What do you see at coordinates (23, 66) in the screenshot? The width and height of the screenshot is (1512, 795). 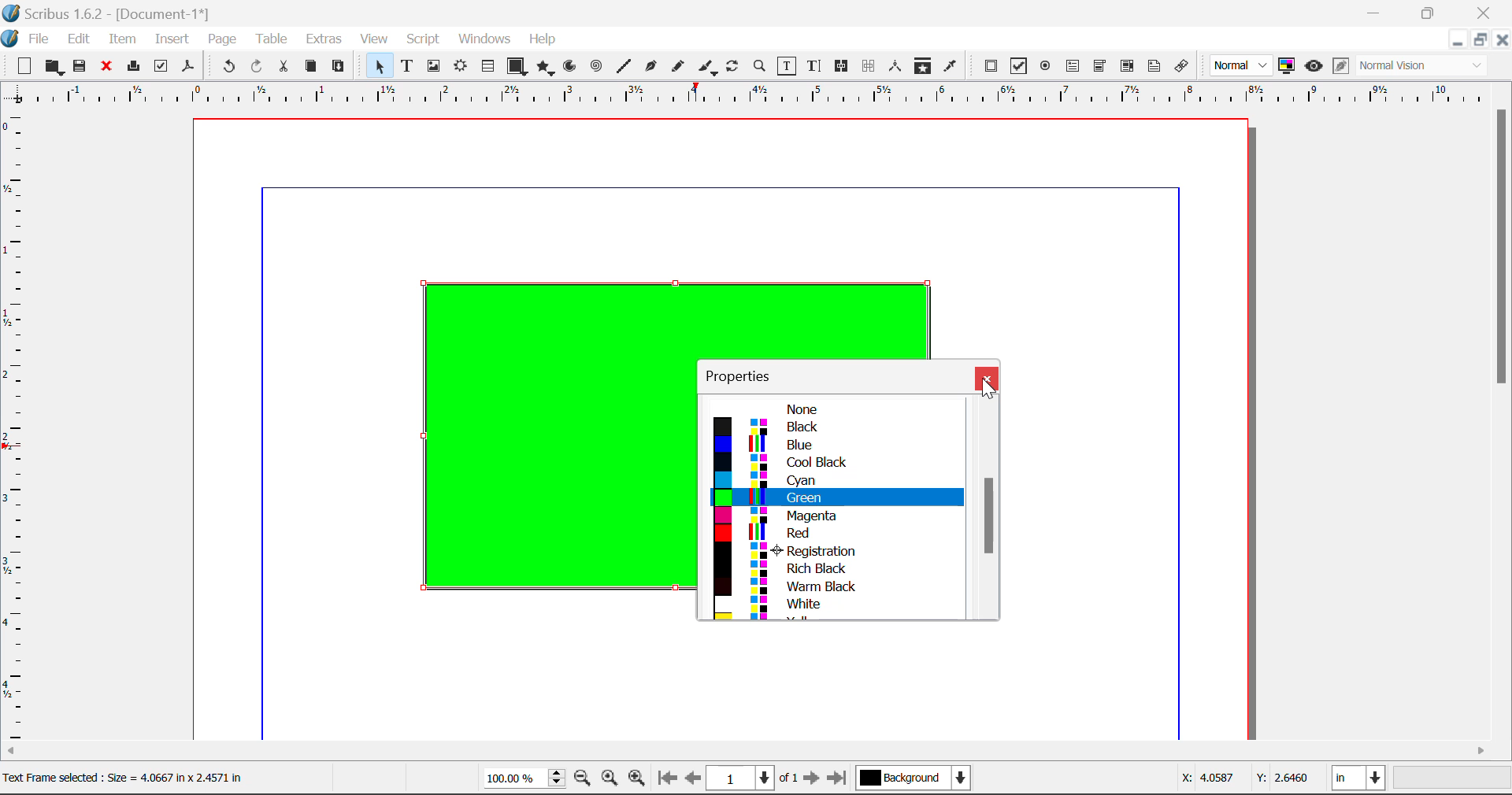 I see `New` at bounding box center [23, 66].